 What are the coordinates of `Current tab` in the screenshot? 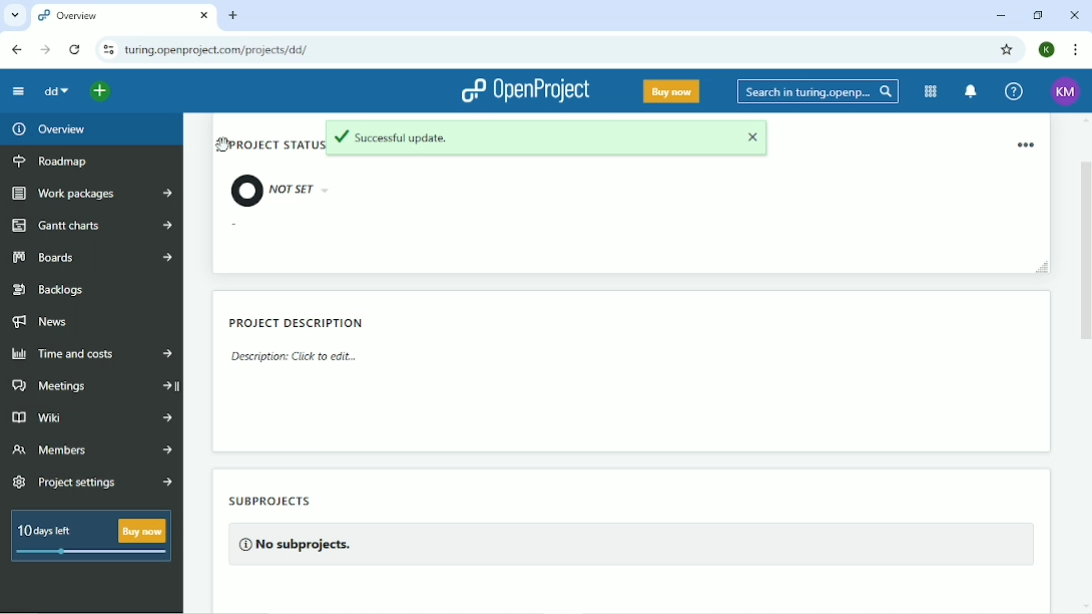 It's located at (123, 15).